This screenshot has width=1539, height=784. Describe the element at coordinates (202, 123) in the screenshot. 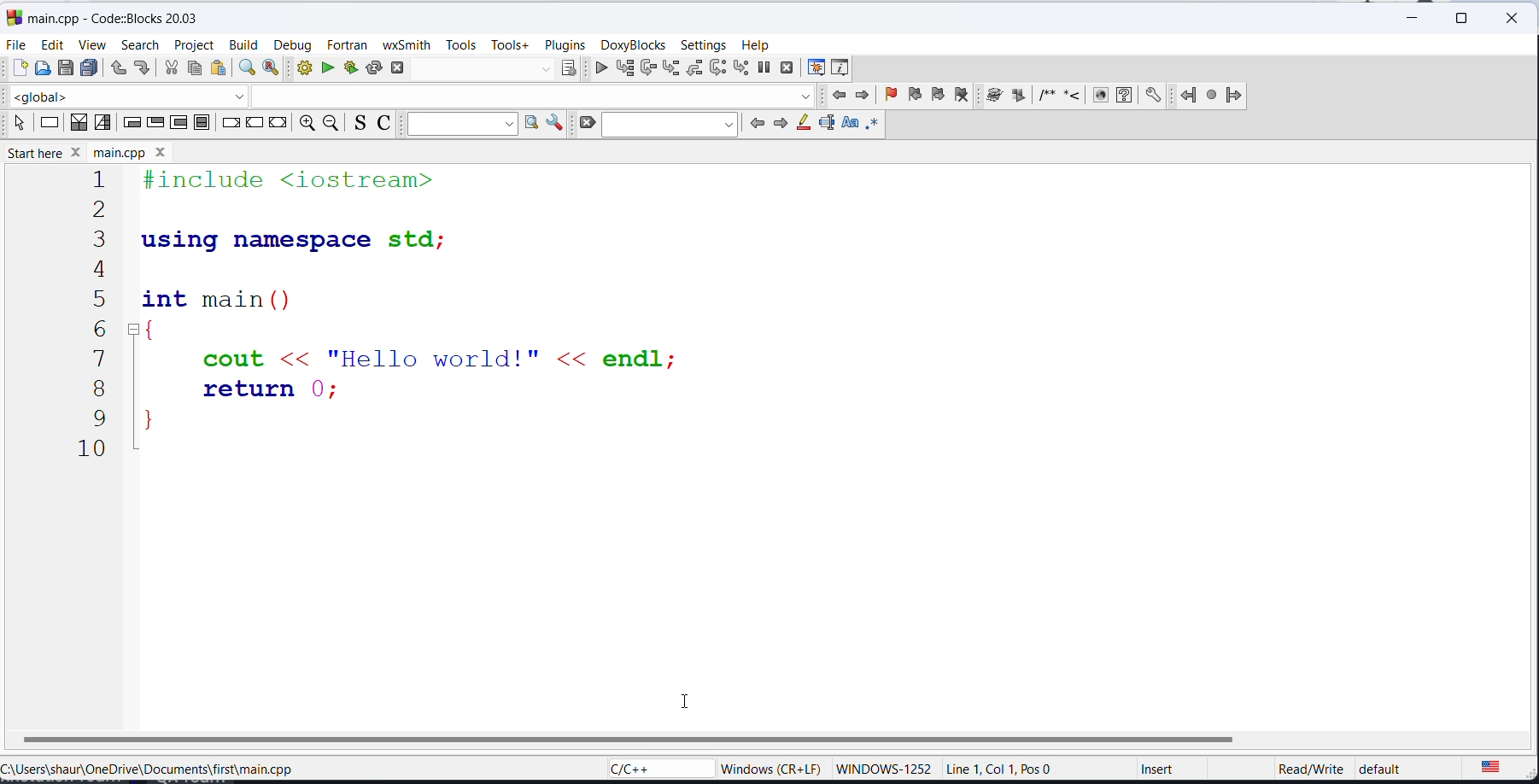

I see `block instruction` at that location.